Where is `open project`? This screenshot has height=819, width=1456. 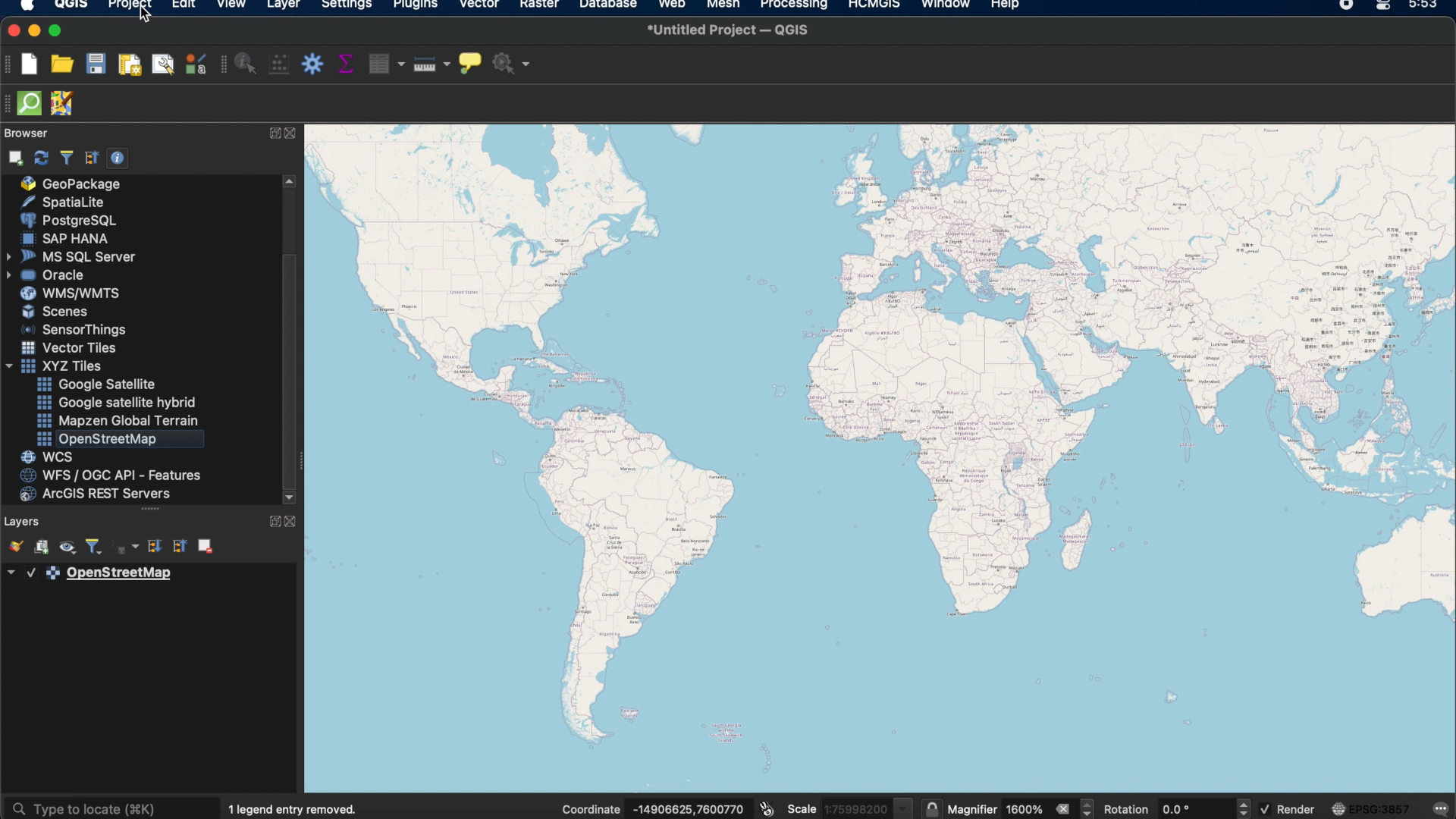 open project is located at coordinates (60, 65).